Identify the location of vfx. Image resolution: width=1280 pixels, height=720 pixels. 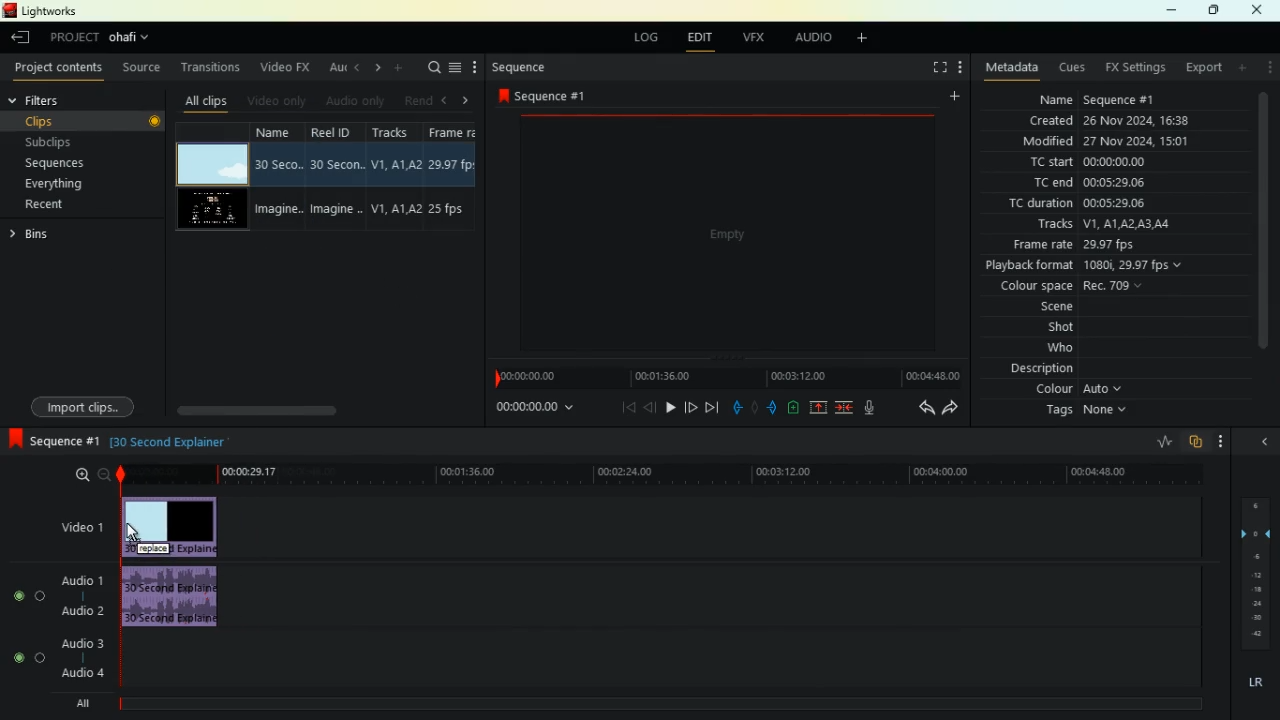
(750, 37).